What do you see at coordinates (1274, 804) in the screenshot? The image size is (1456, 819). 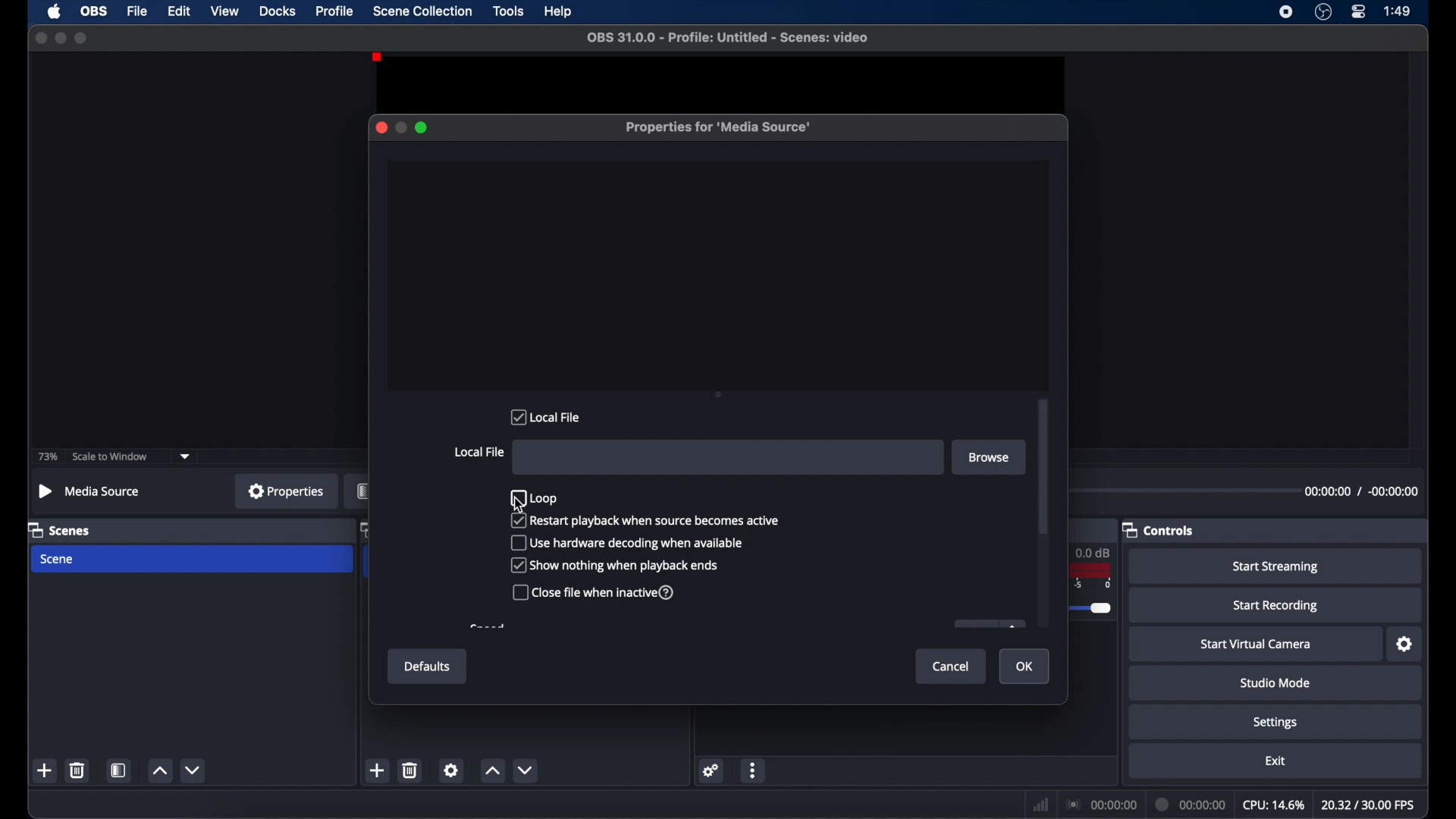 I see `` at bounding box center [1274, 804].